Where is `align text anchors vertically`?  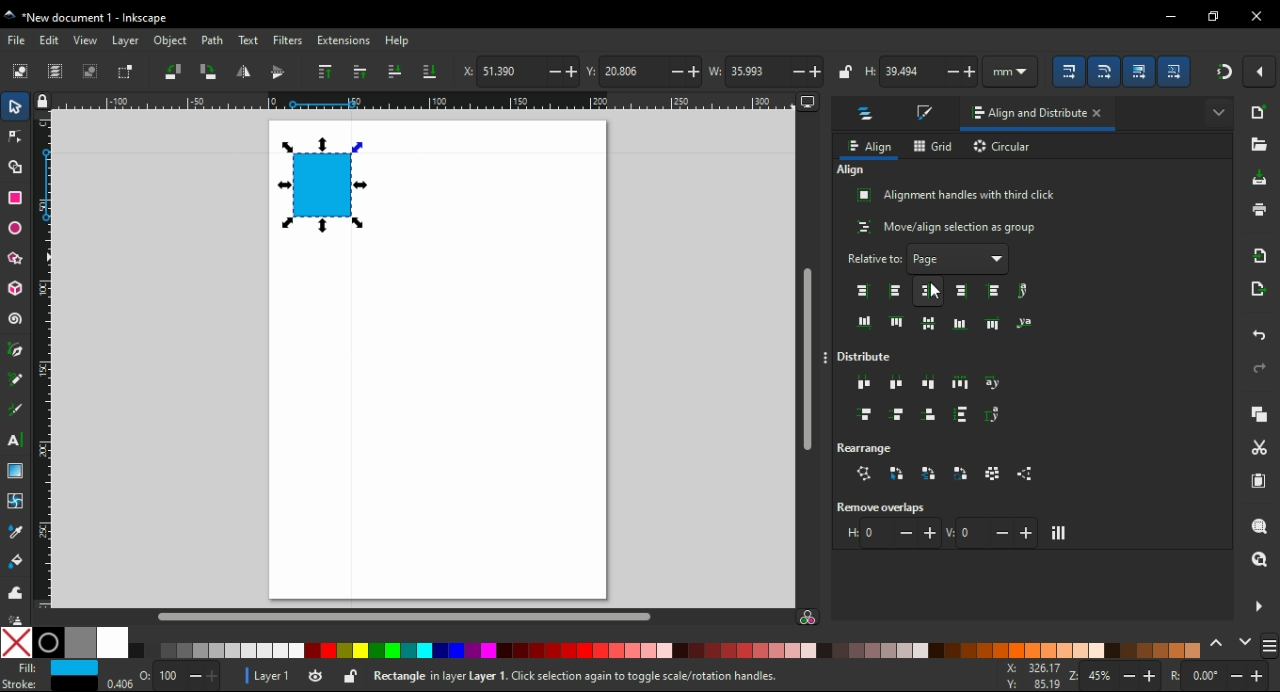
align text anchors vertically is located at coordinates (1023, 322).